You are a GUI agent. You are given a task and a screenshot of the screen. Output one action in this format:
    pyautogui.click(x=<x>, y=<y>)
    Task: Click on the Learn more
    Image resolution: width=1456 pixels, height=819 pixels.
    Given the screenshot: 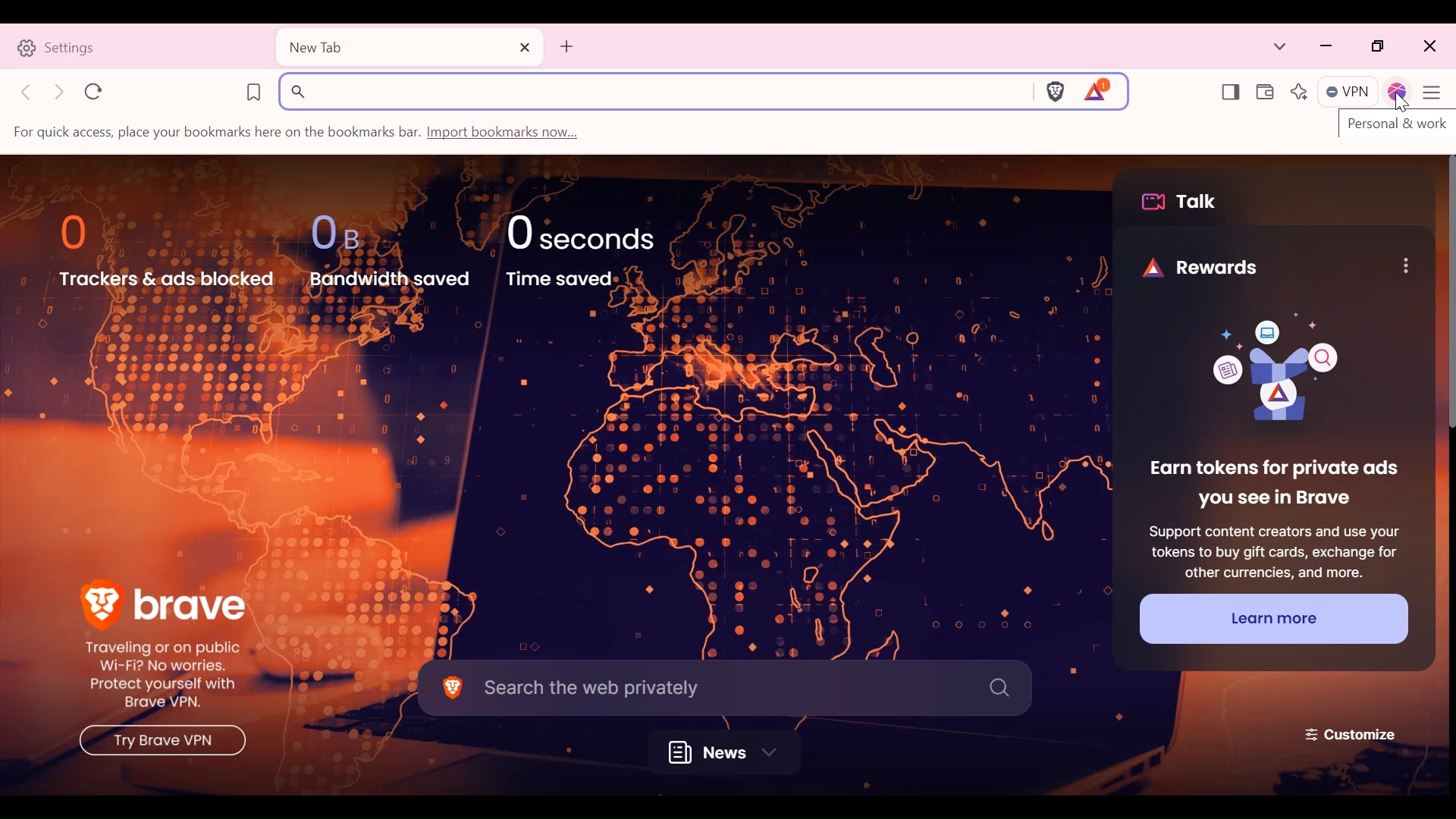 What is the action you would take?
    pyautogui.click(x=1272, y=618)
    